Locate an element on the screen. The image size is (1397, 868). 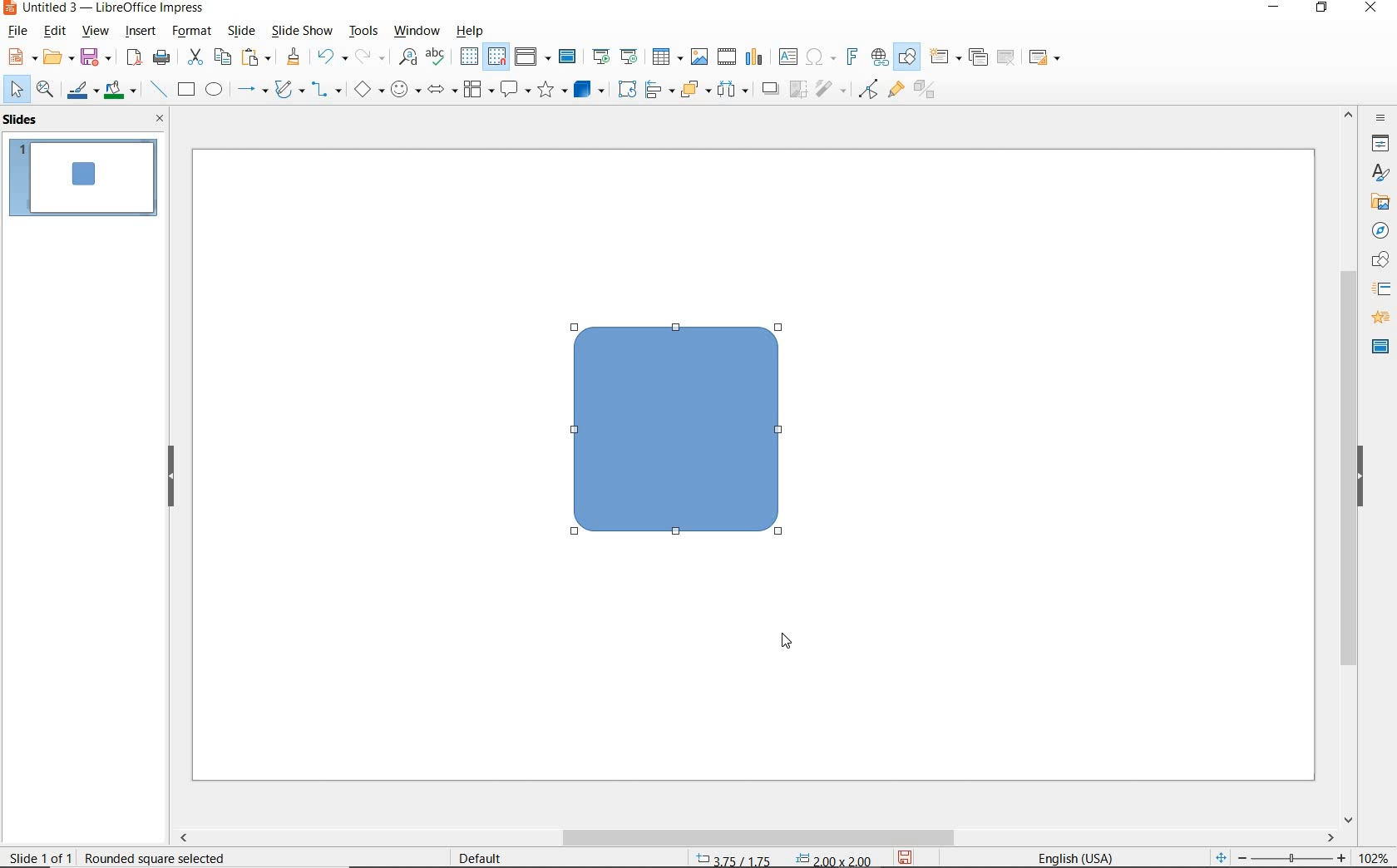
align objects is located at coordinates (659, 91).